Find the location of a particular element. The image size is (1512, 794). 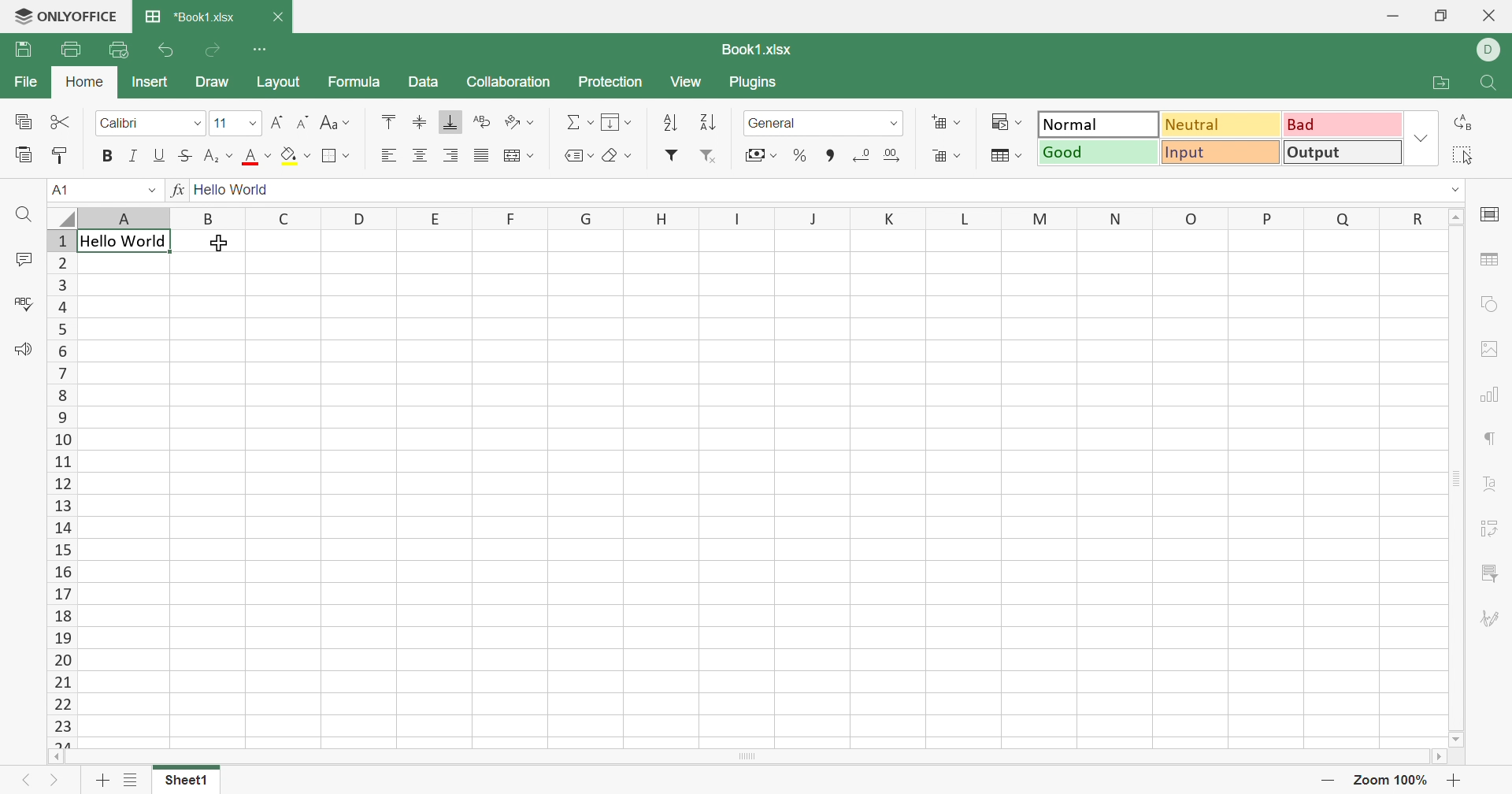

Table settings is located at coordinates (1492, 262).